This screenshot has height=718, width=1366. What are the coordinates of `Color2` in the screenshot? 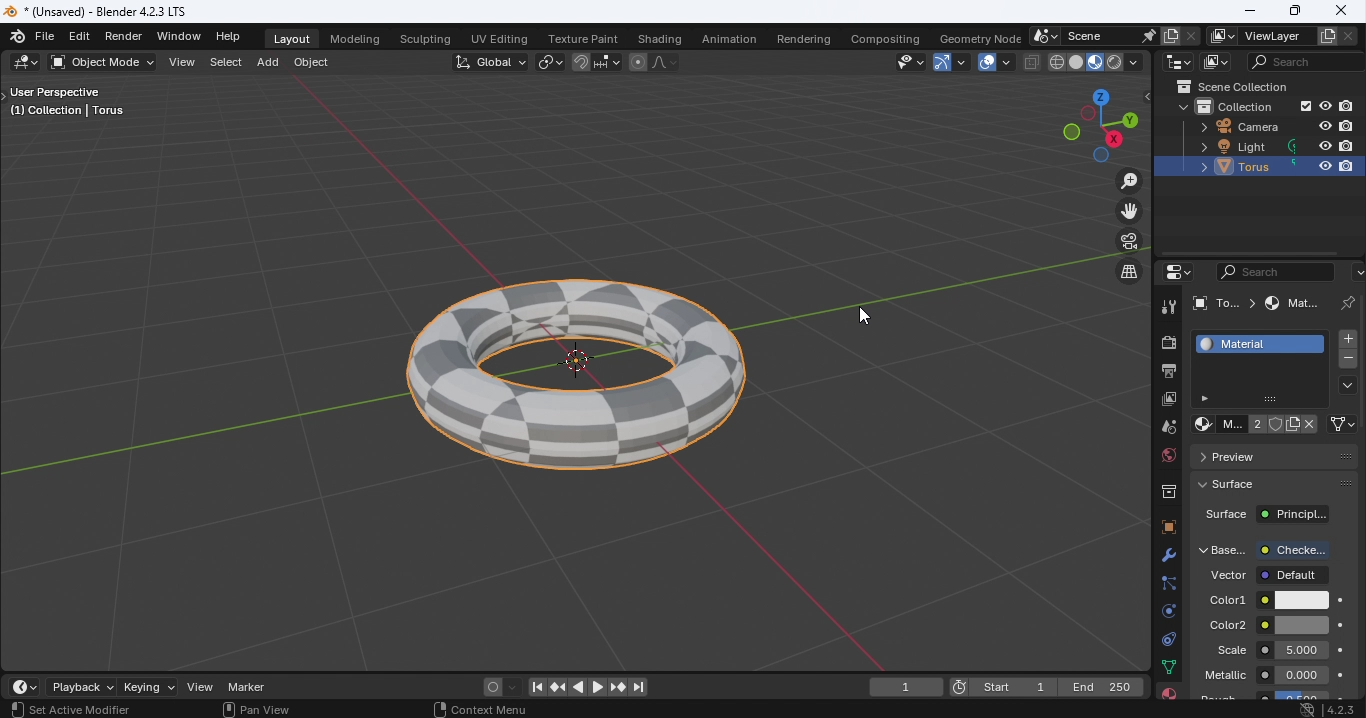 It's located at (1265, 626).